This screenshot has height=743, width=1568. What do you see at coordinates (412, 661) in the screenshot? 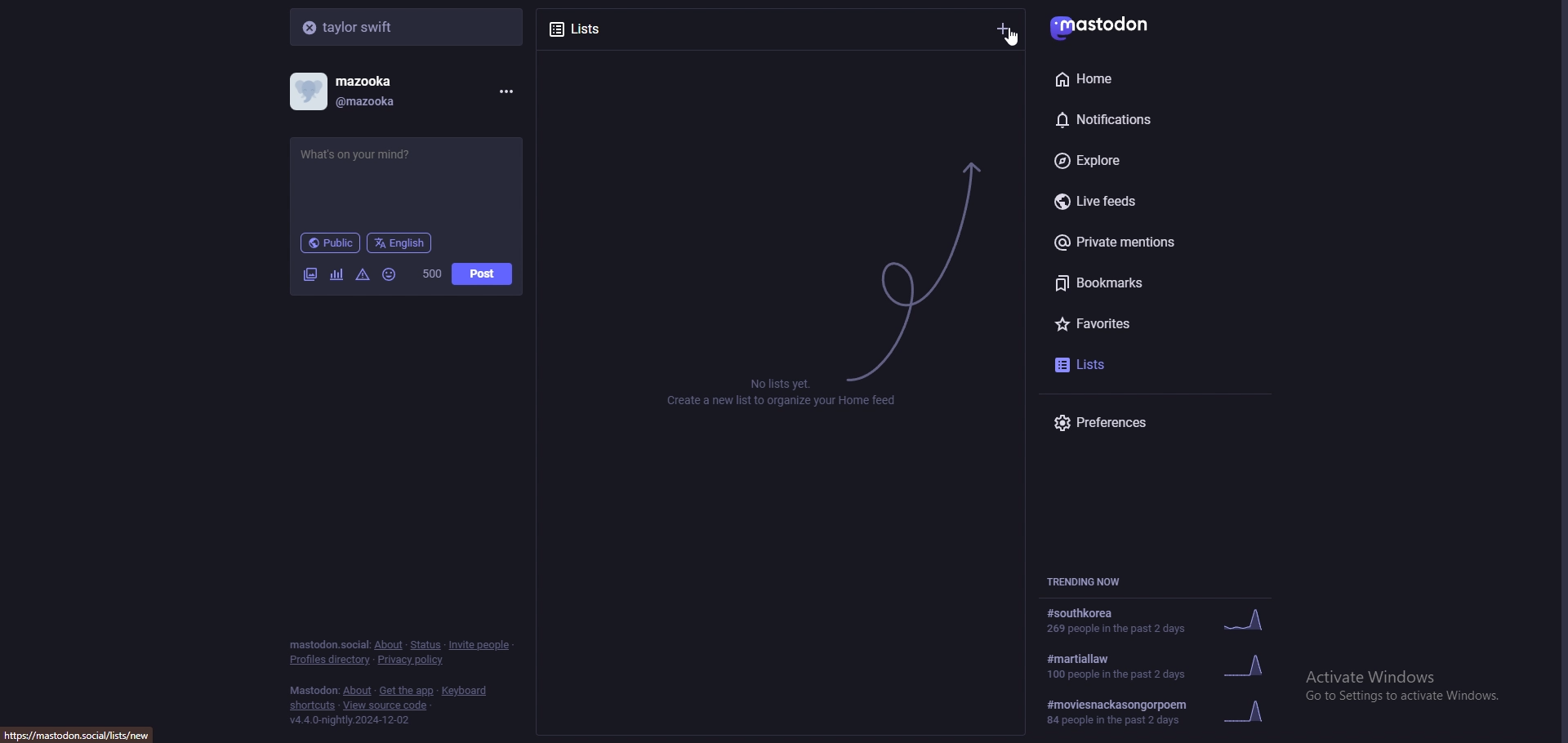
I see `privacy policy` at bounding box center [412, 661].